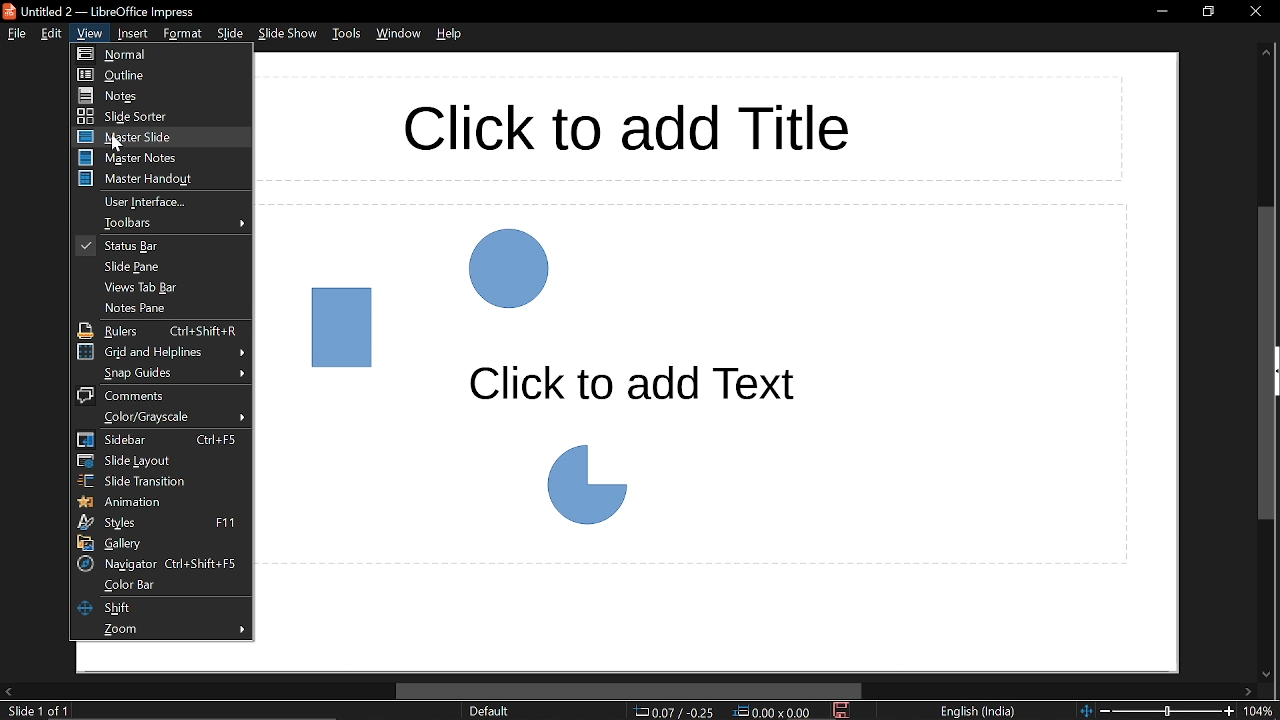  I want to click on Window, so click(398, 36).